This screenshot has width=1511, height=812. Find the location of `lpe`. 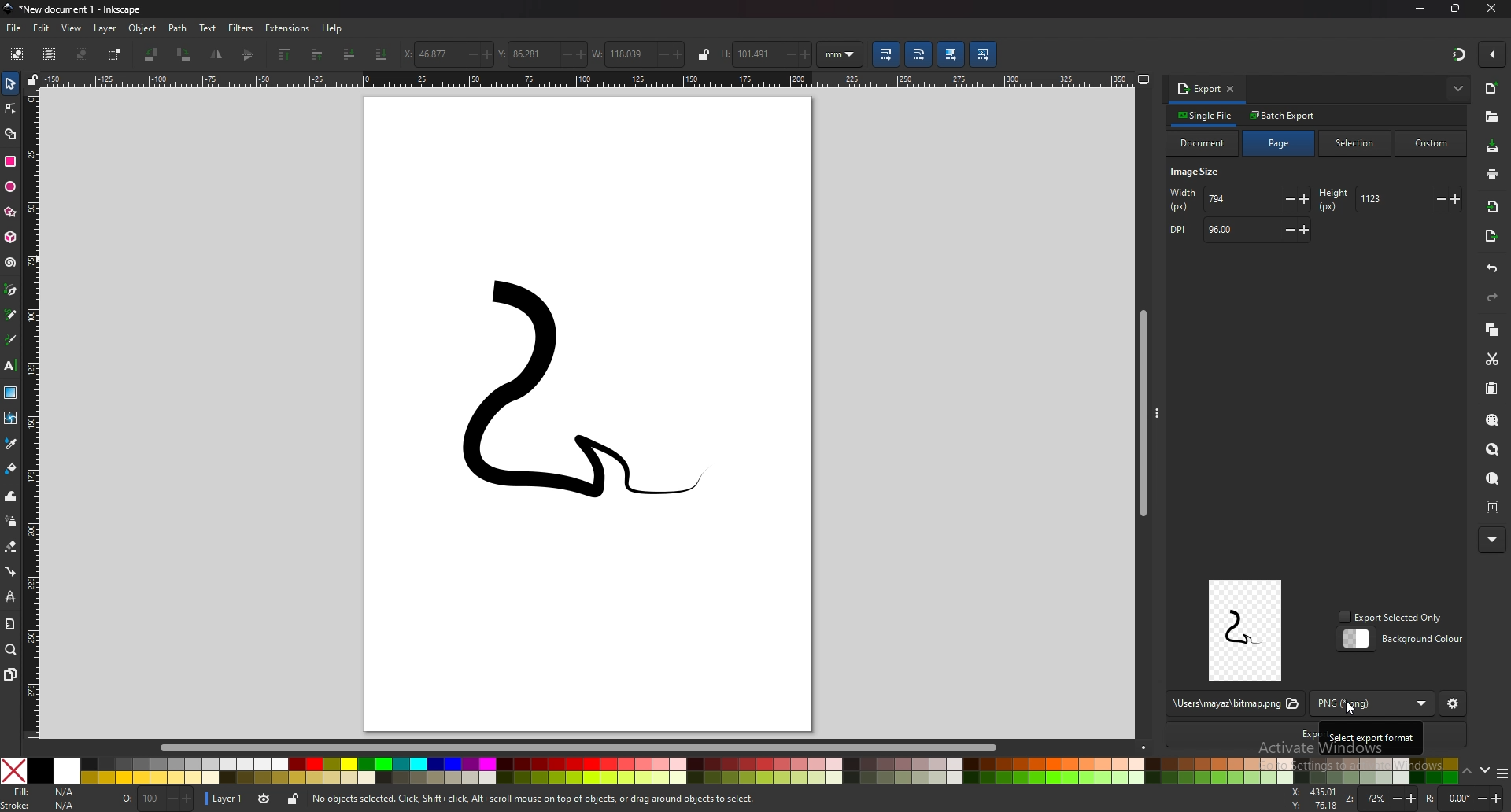

lpe is located at coordinates (9, 596).